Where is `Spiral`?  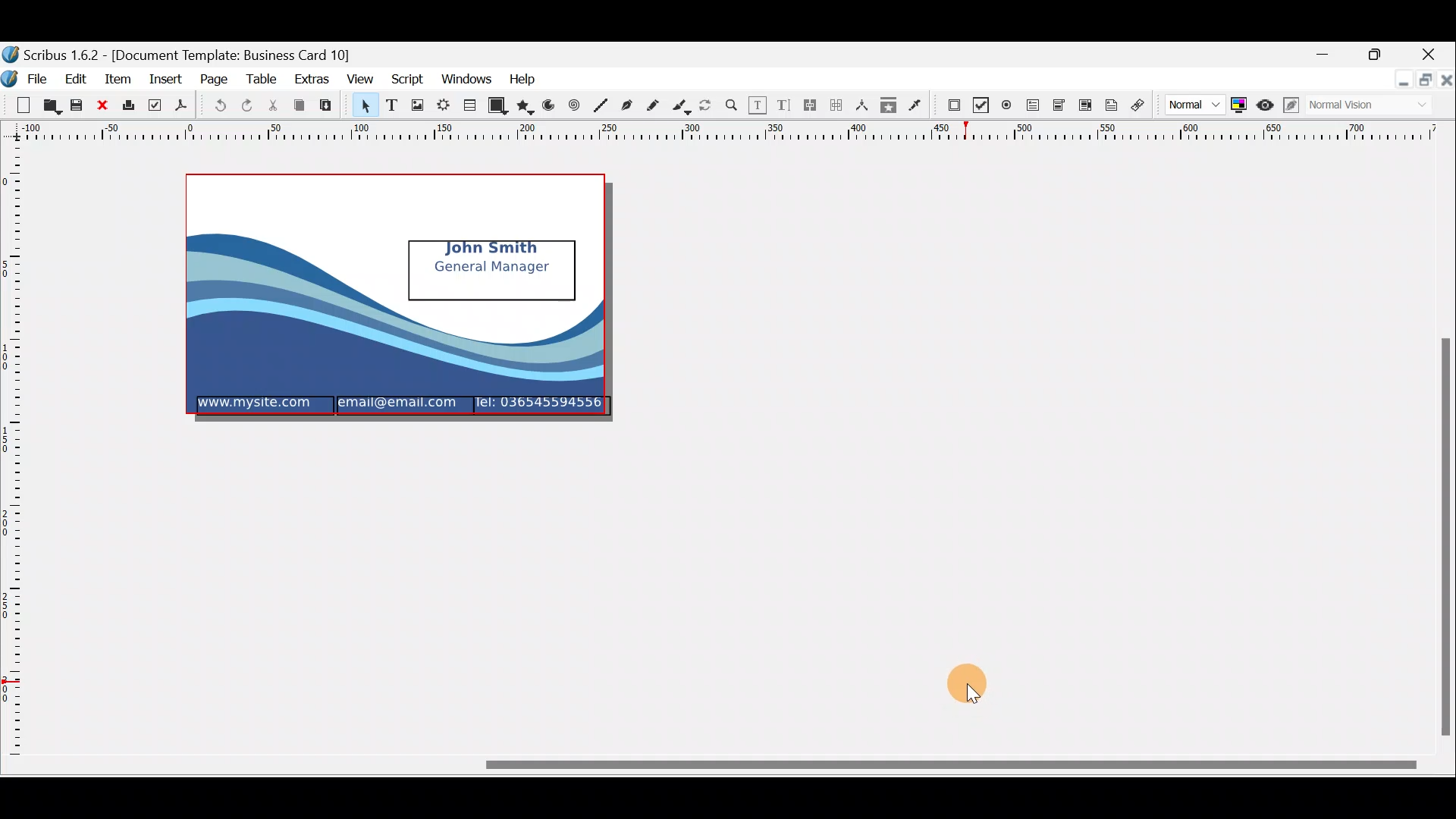
Spiral is located at coordinates (574, 105).